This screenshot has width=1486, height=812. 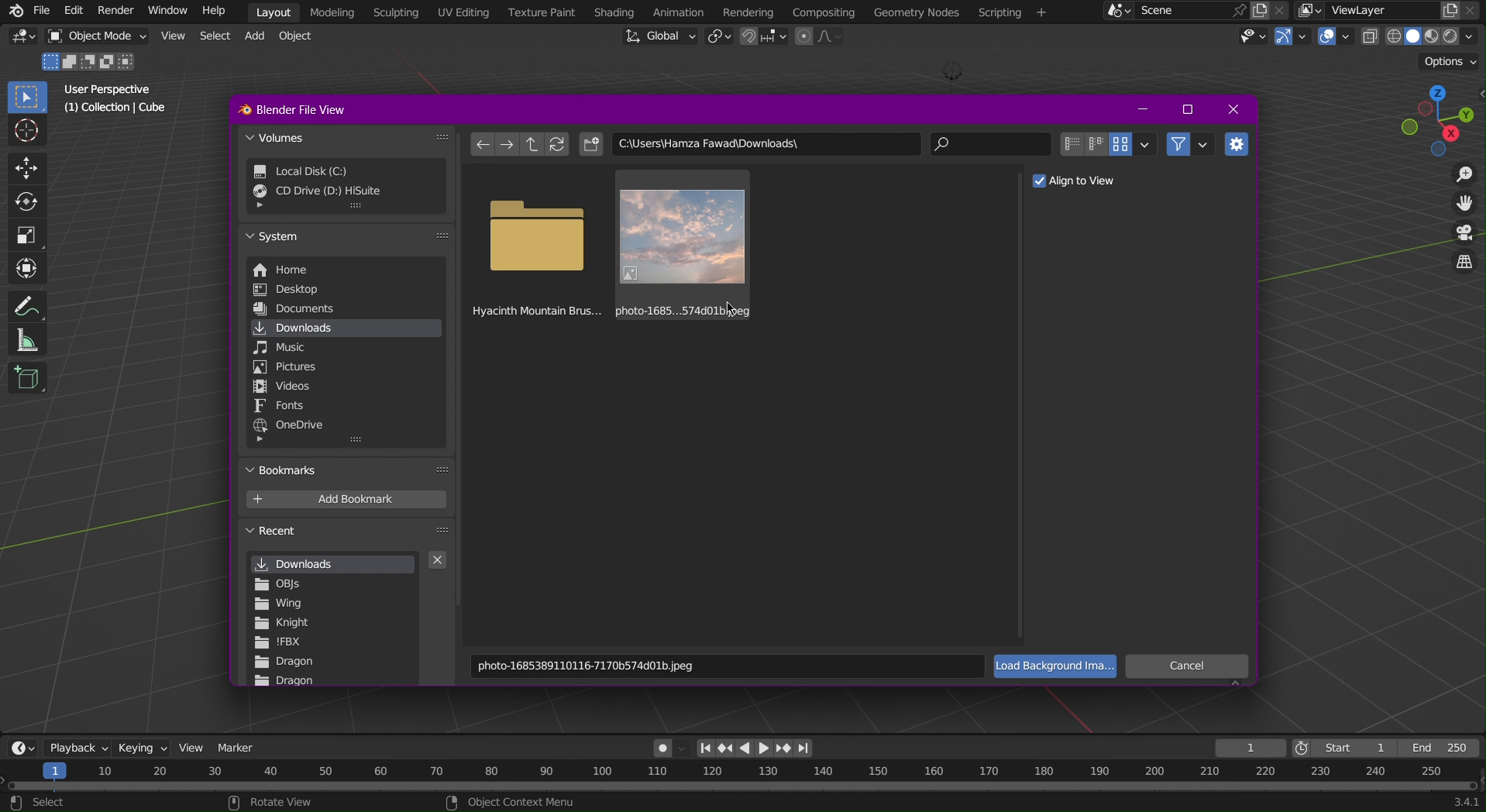 I want to click on Exit Directory, so click(x=532, y=145).